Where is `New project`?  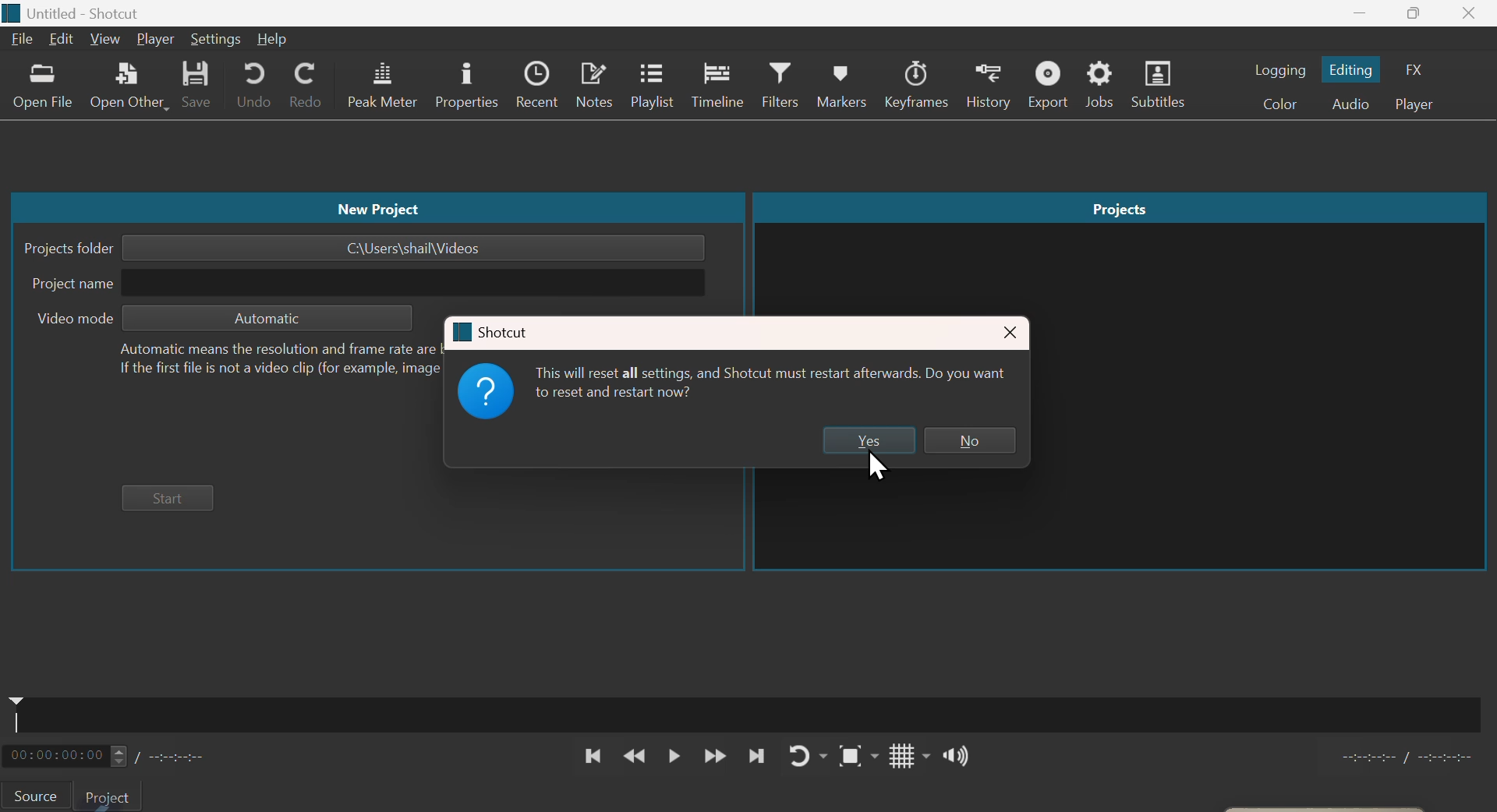
New project is located at coordinates (377, 207).